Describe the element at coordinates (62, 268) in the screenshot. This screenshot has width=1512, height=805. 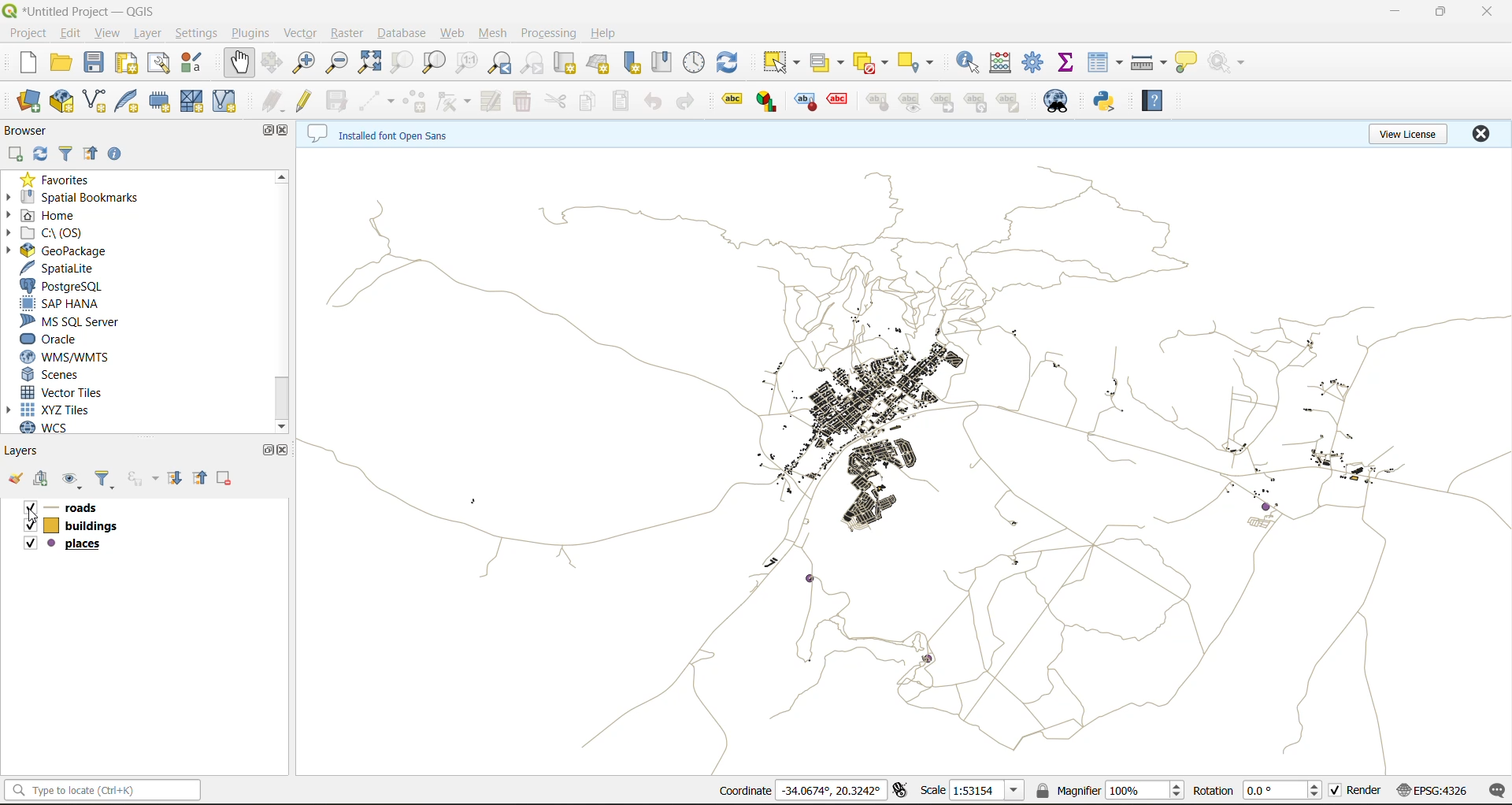
I see `spatialite` at that location.